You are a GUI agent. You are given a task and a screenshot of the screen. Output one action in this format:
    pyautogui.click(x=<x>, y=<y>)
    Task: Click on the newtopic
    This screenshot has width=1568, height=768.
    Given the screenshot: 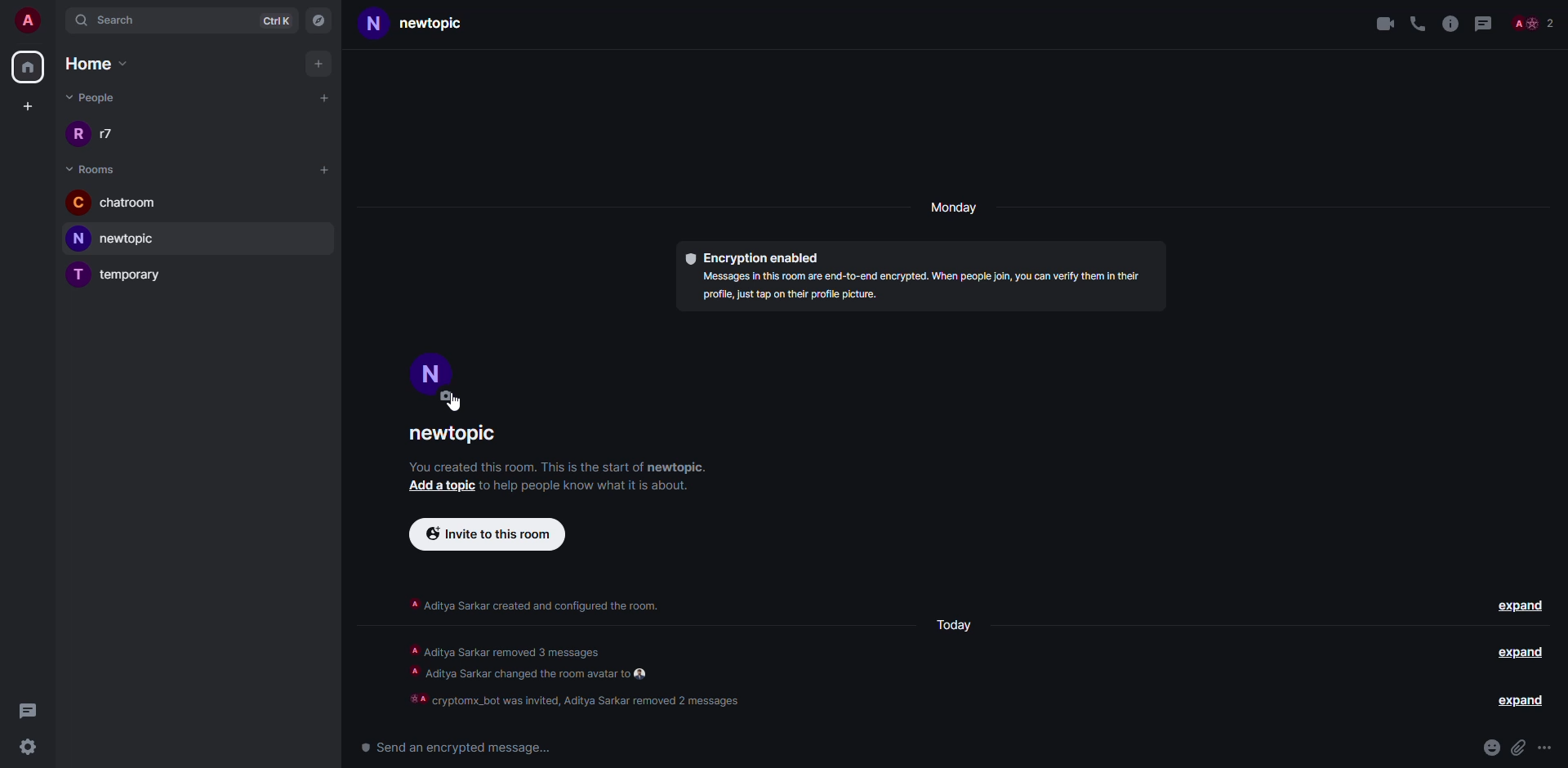 What is the action you would take?
    pyautogui.click(x=420, y=26)
    